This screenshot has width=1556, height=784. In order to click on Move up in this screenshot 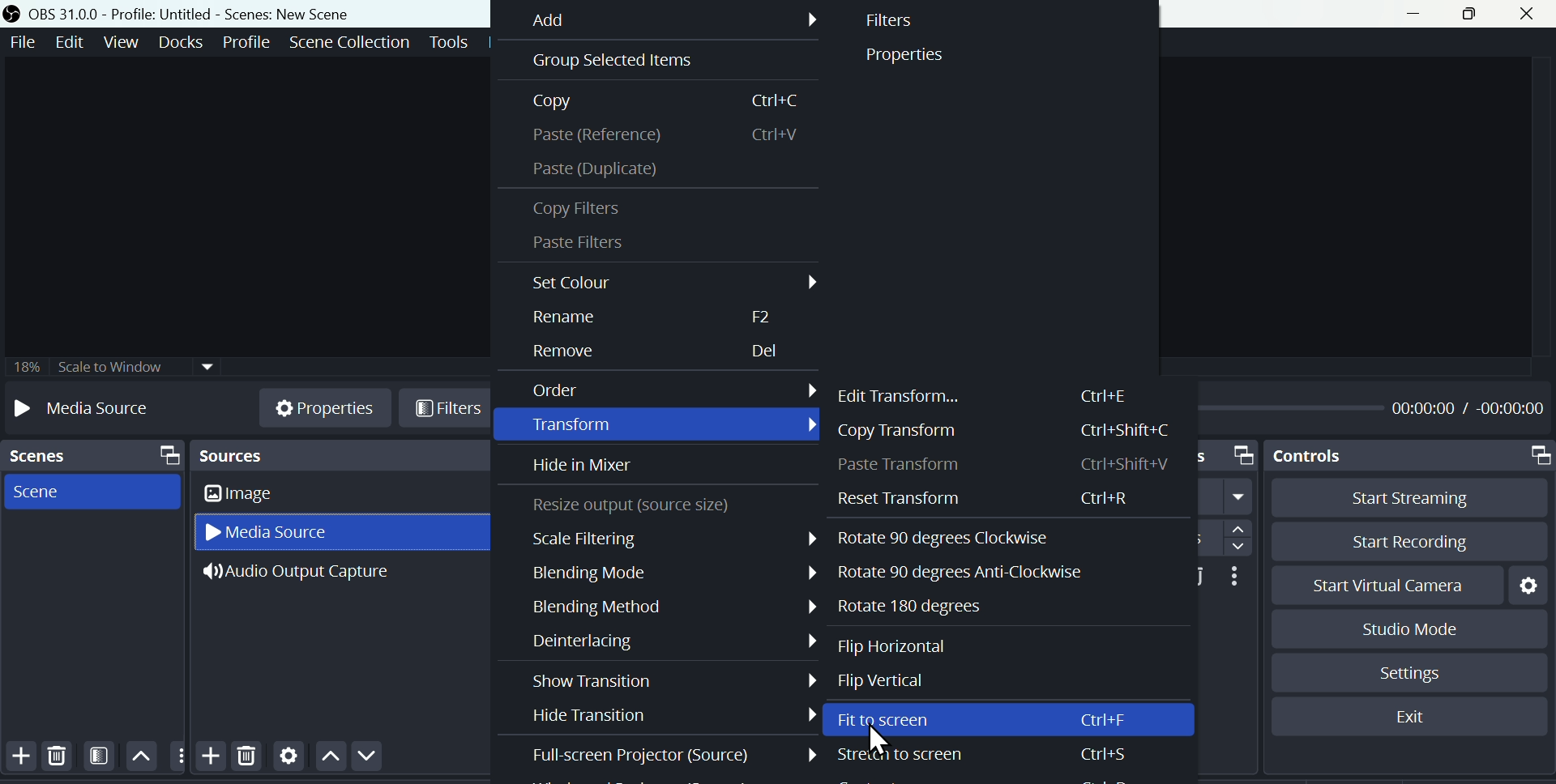, I will do `click(141, 757)`.